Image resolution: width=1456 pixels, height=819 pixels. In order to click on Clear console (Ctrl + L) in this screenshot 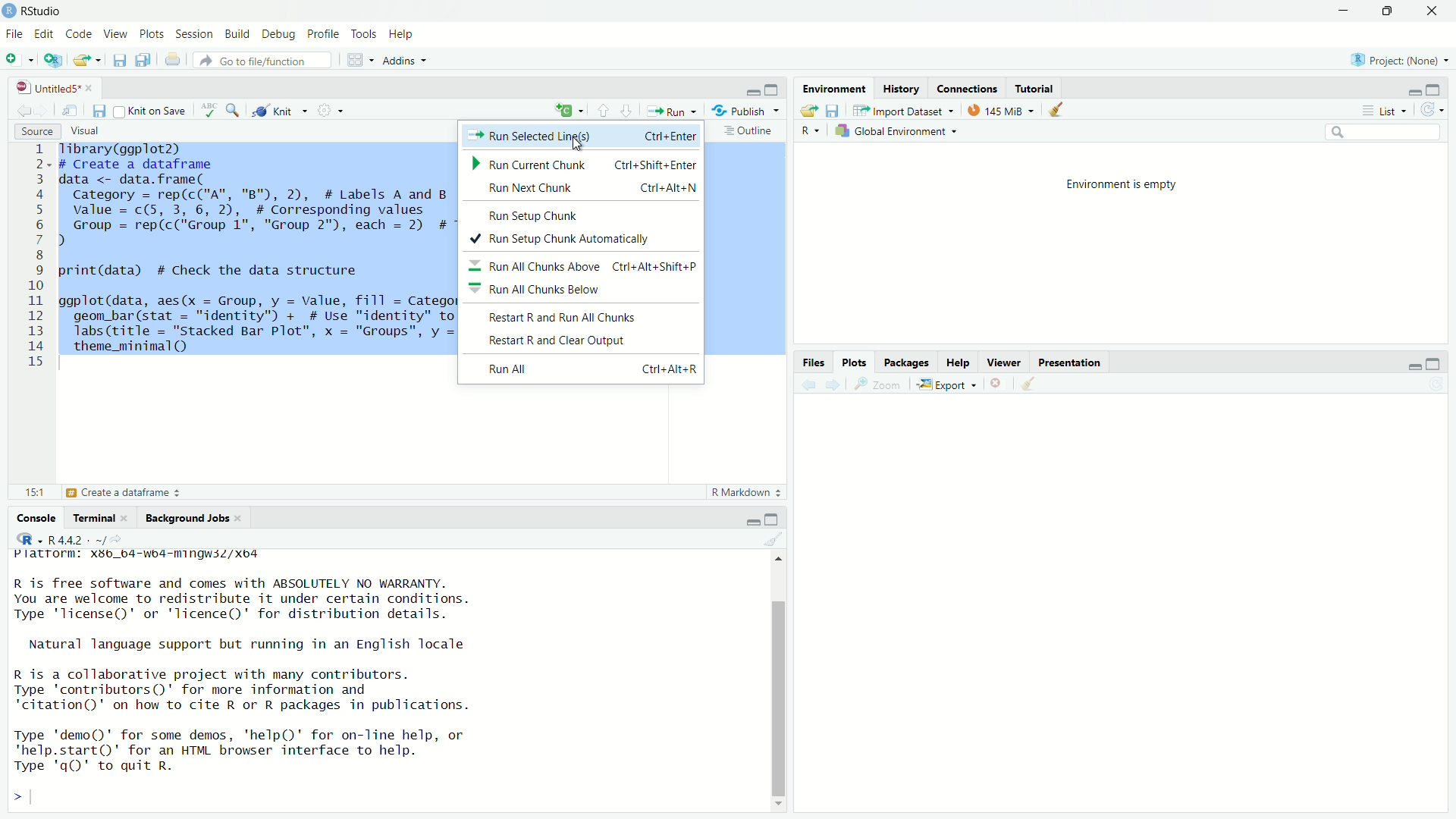, I will do `click(1057, 108)`.